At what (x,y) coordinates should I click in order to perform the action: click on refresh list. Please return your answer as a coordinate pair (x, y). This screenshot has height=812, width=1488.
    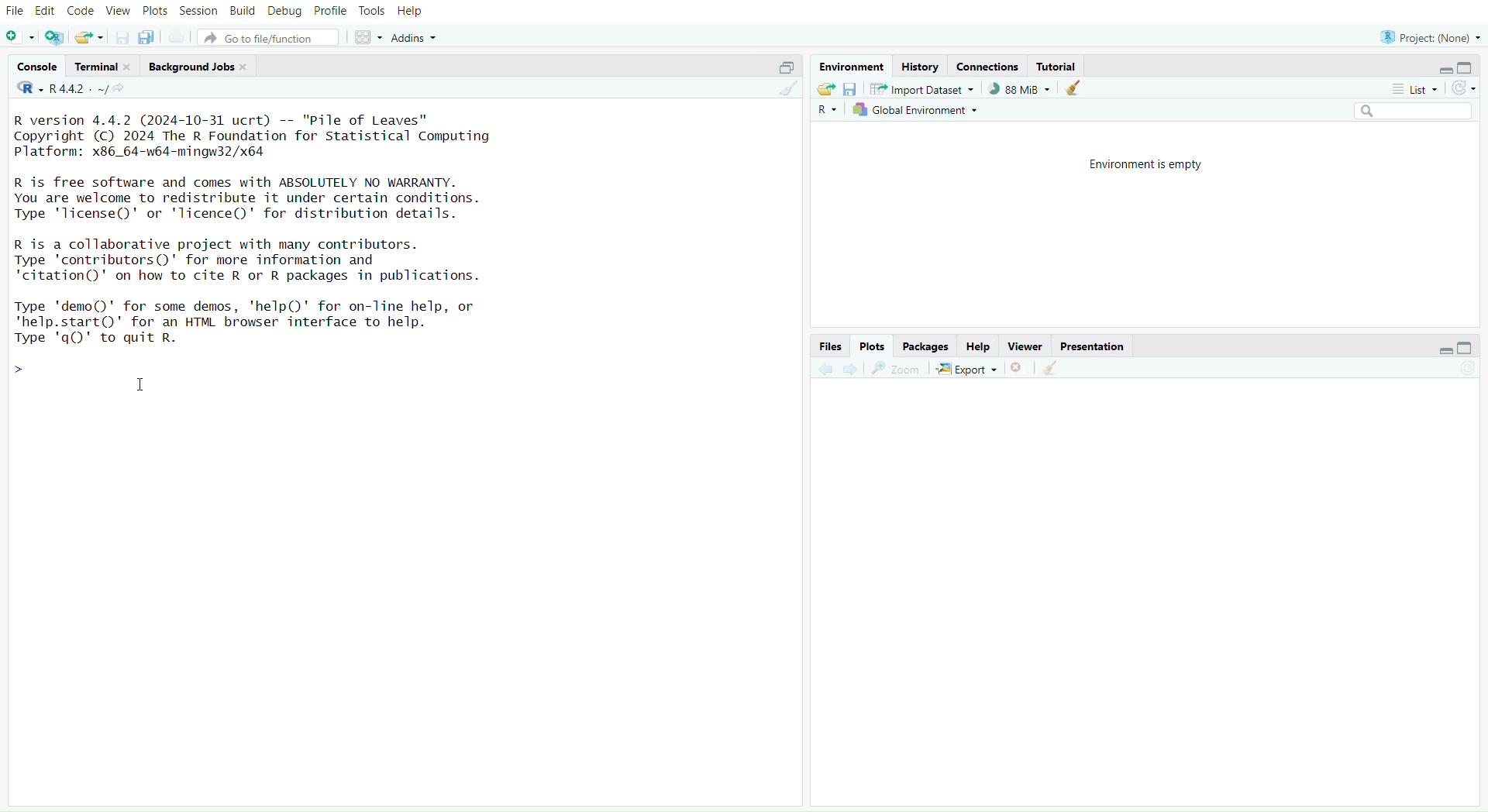
    Looking at the image, I should click on (1463, 88).